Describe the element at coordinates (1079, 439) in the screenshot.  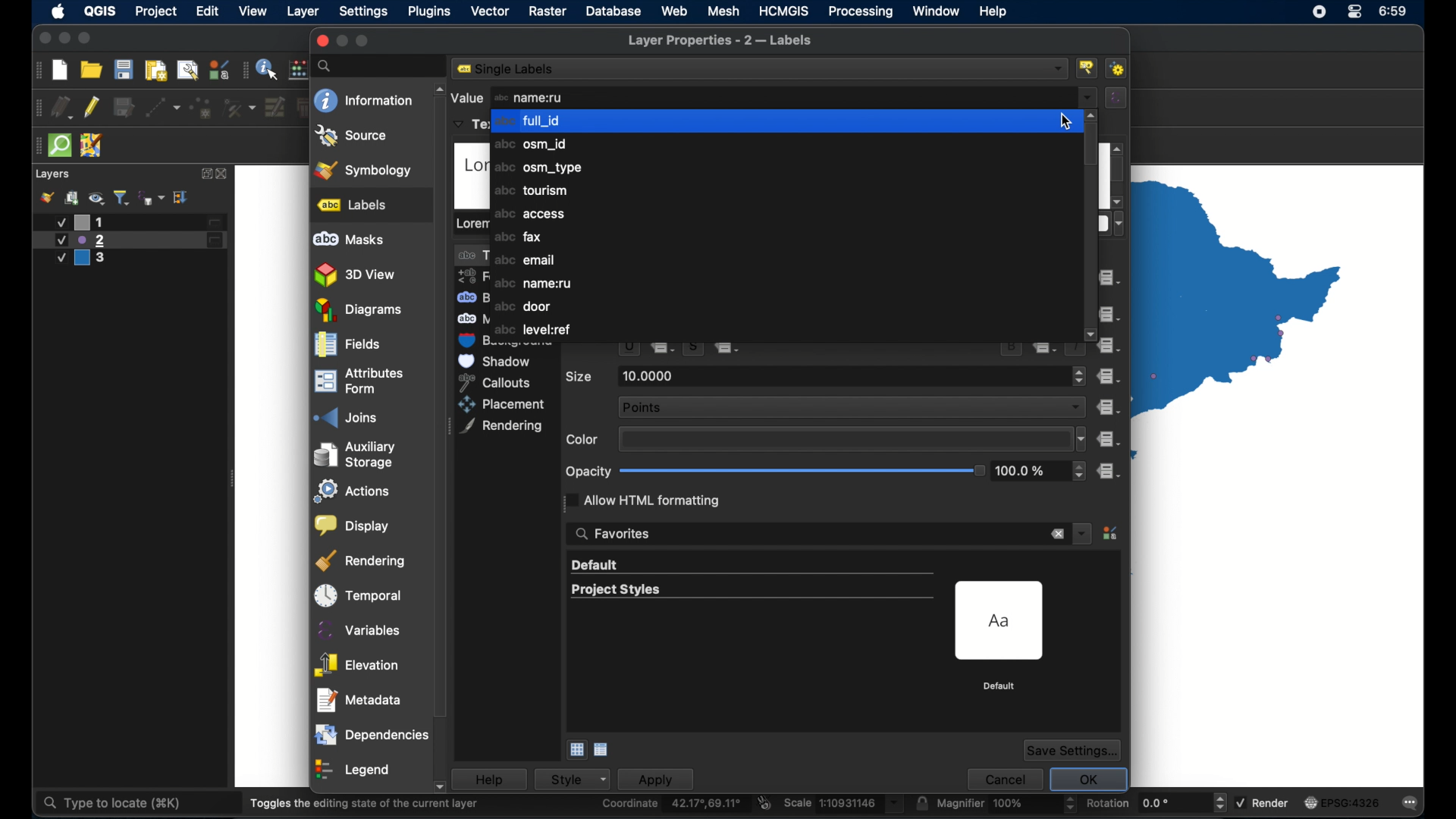
I see `dropdown menu` at that location.